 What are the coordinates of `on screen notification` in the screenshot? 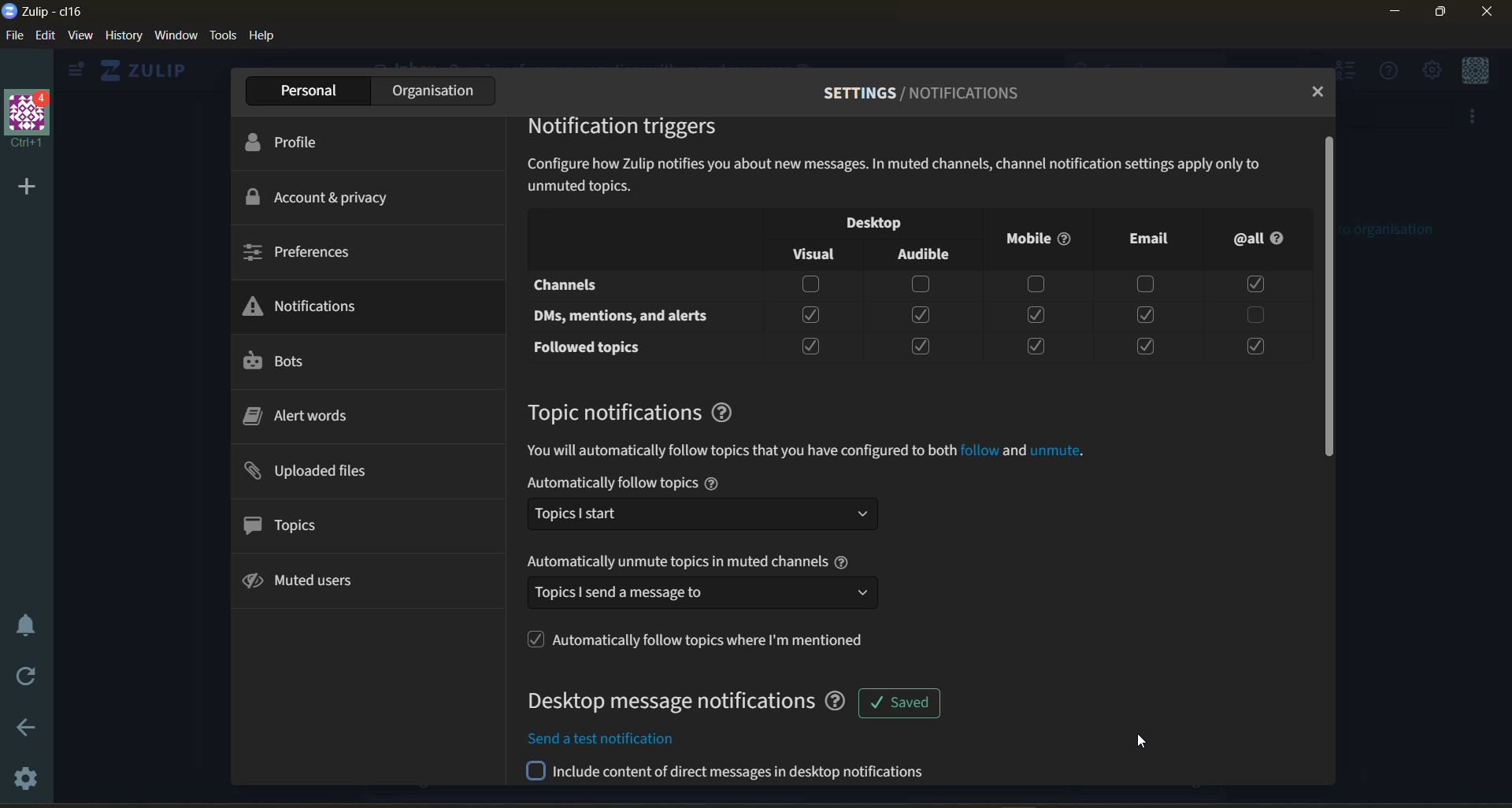 It's located at (899, 699).